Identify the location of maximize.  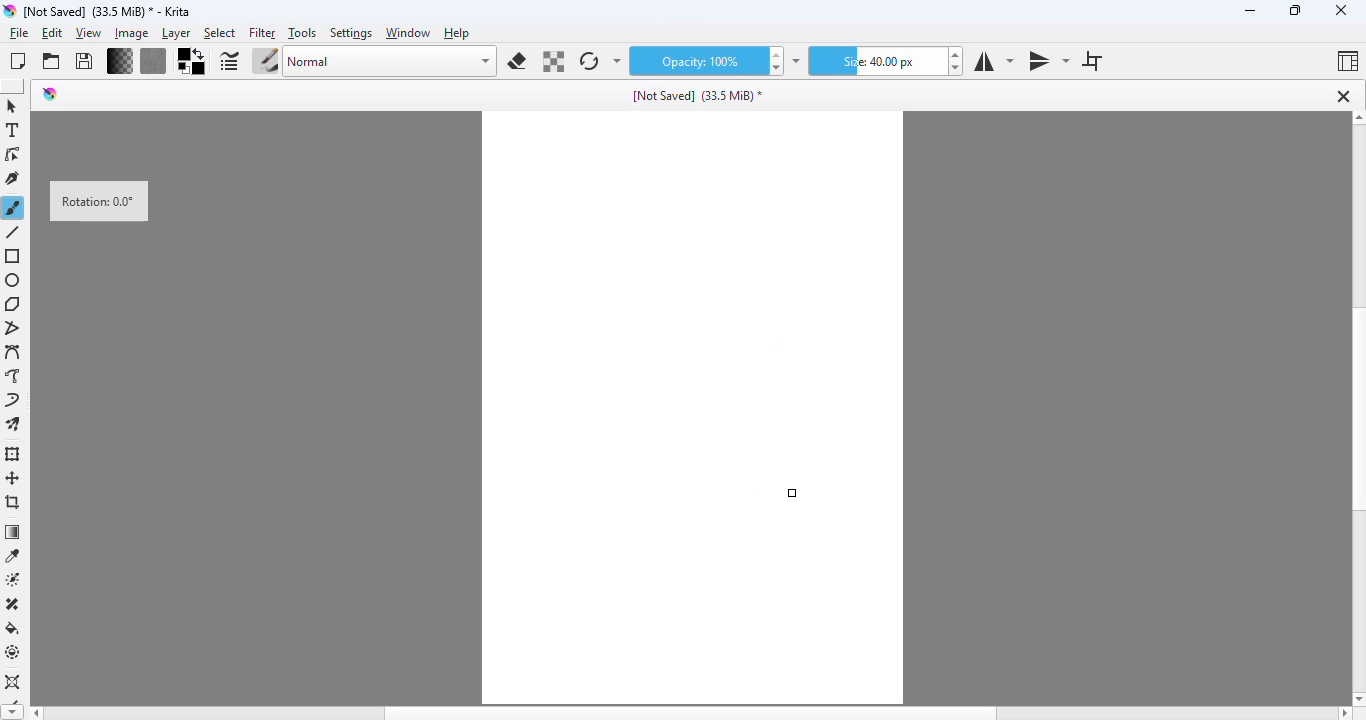
(1296, 10).